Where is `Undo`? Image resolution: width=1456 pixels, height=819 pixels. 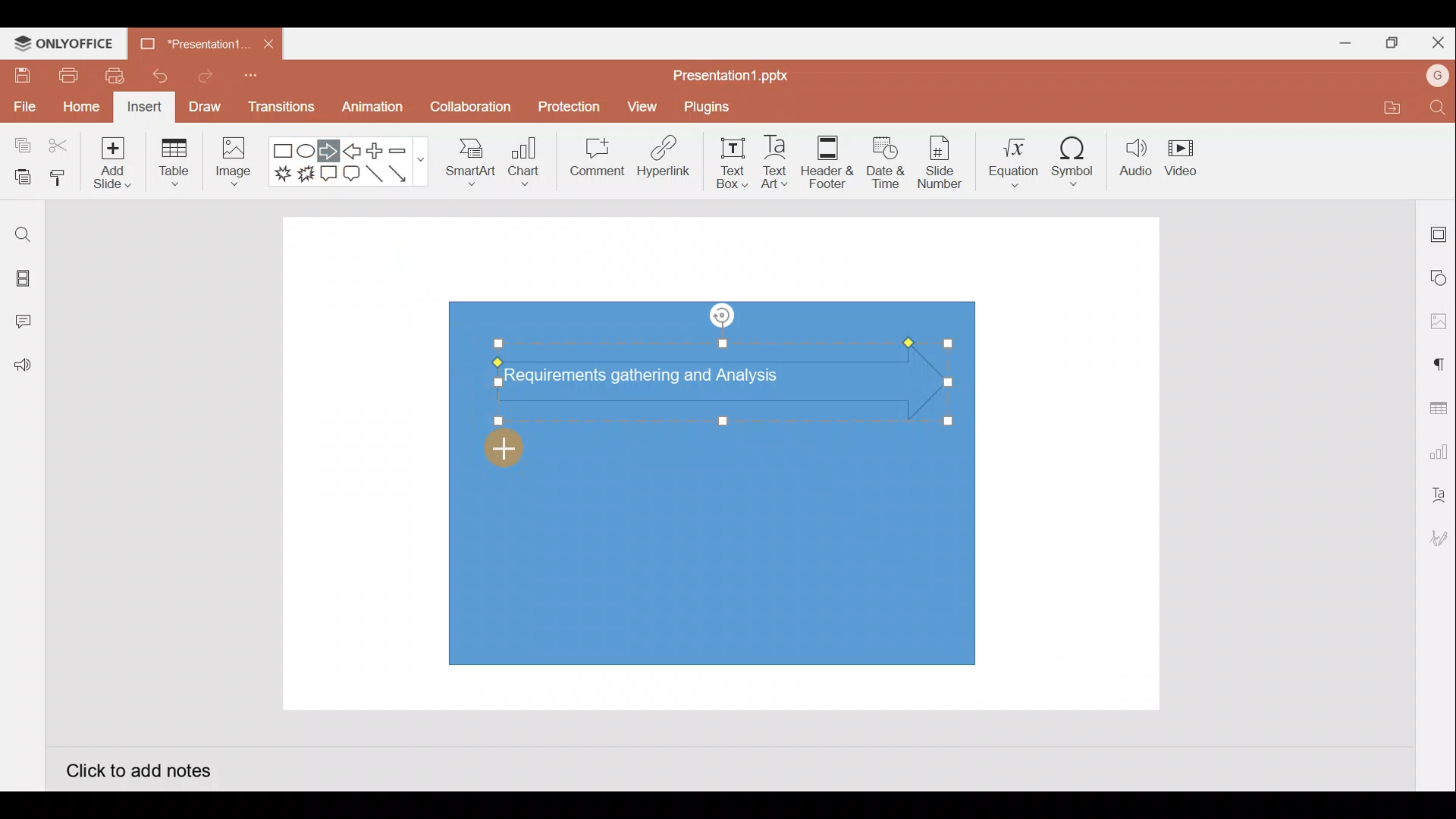
Undo is located at coordinates (154, 76).